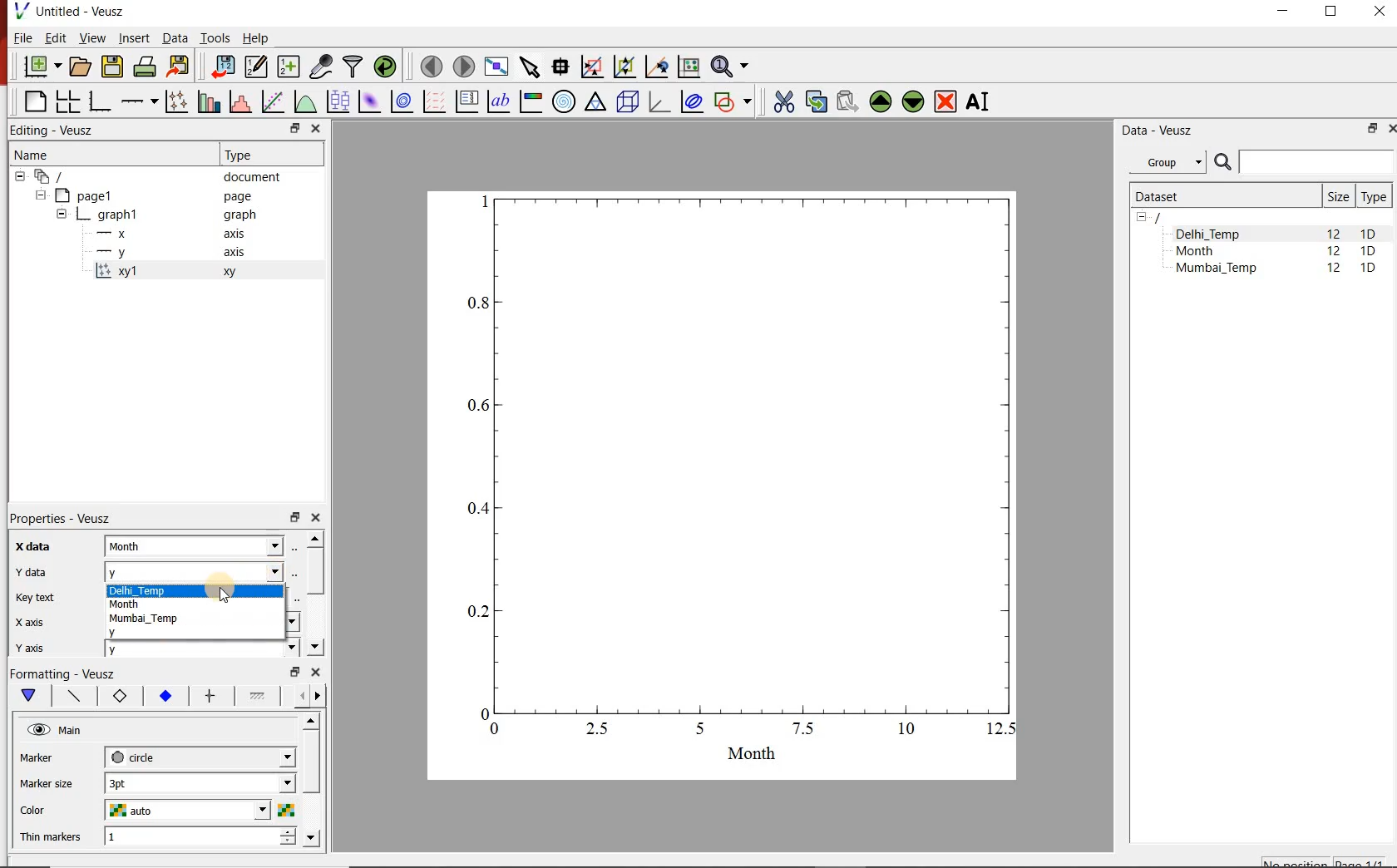 The width and height of the screenshot is (1397, 868). What do you see at coordinates (692, 101) in the screenshot?
I see `plot covariance ellipses` at bounding box center [692, 101].